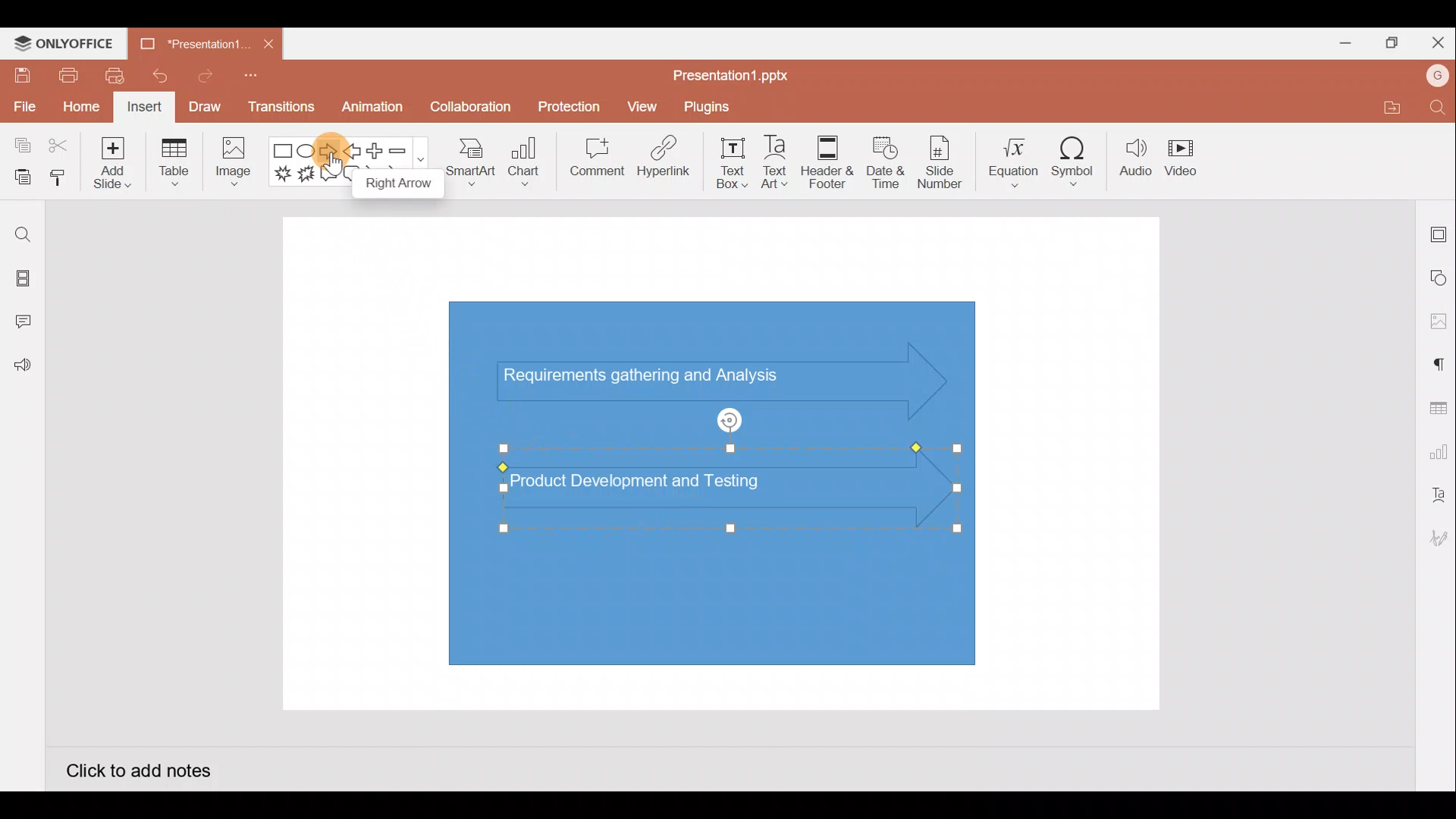 Image resolution: width=1456 pixels, height=819 pixels. I want to click on Customize quick access toolbar, so click(256, 80).